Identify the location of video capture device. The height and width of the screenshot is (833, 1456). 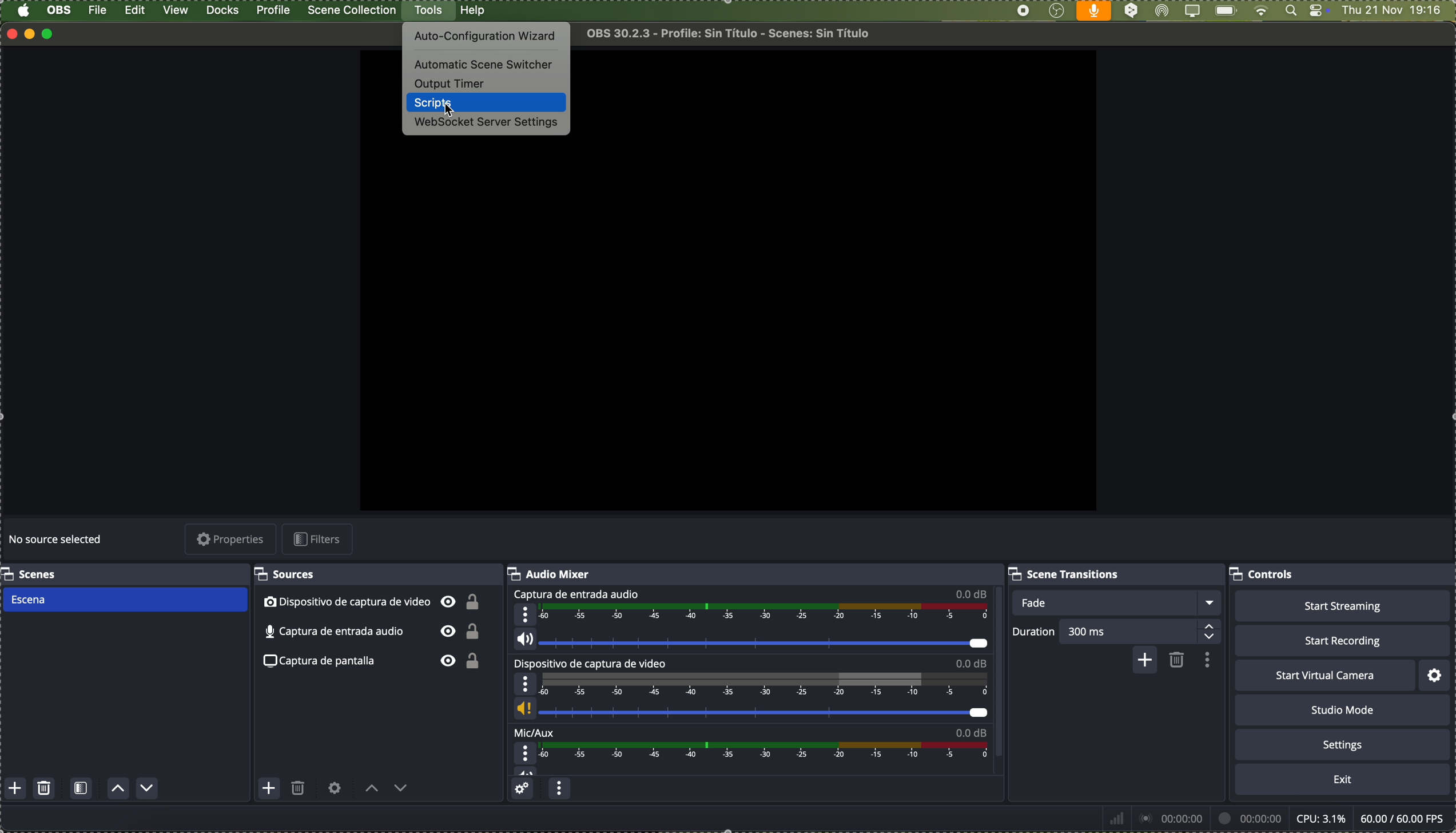
(373, 603).